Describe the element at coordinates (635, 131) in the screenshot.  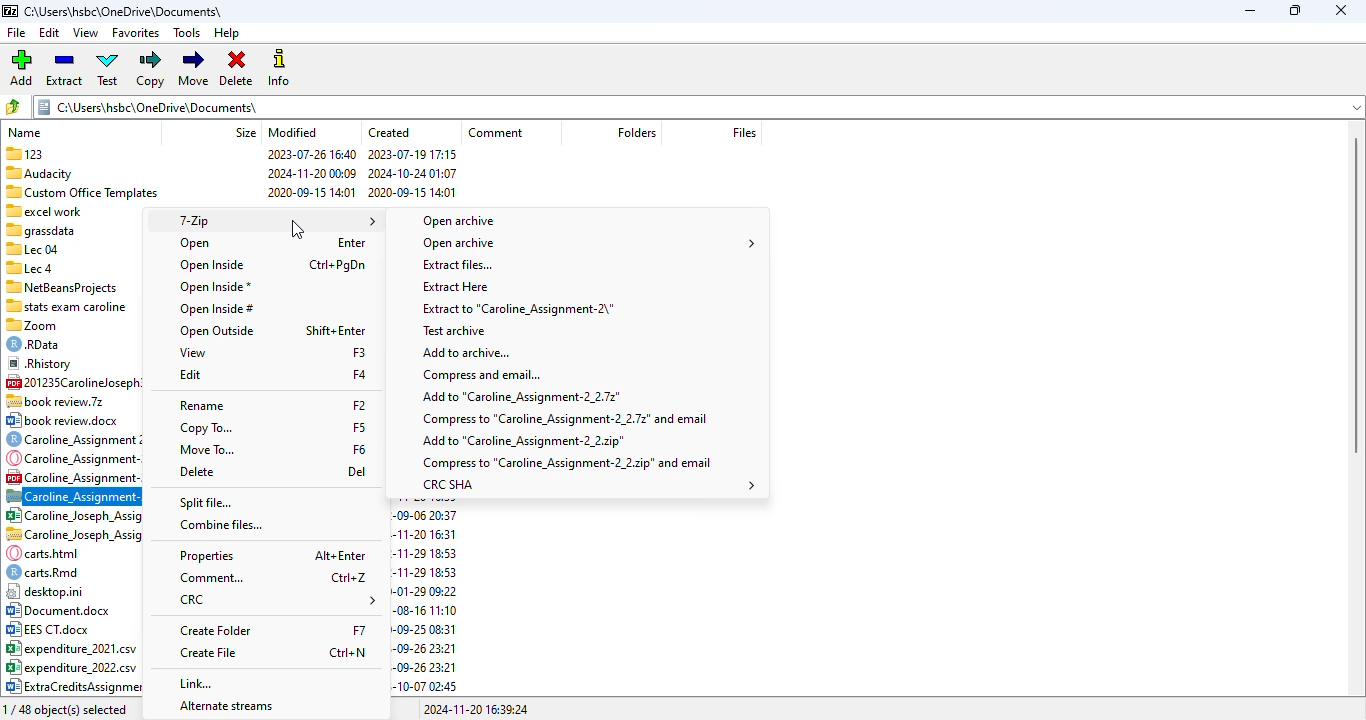
I see `folders` at that location.